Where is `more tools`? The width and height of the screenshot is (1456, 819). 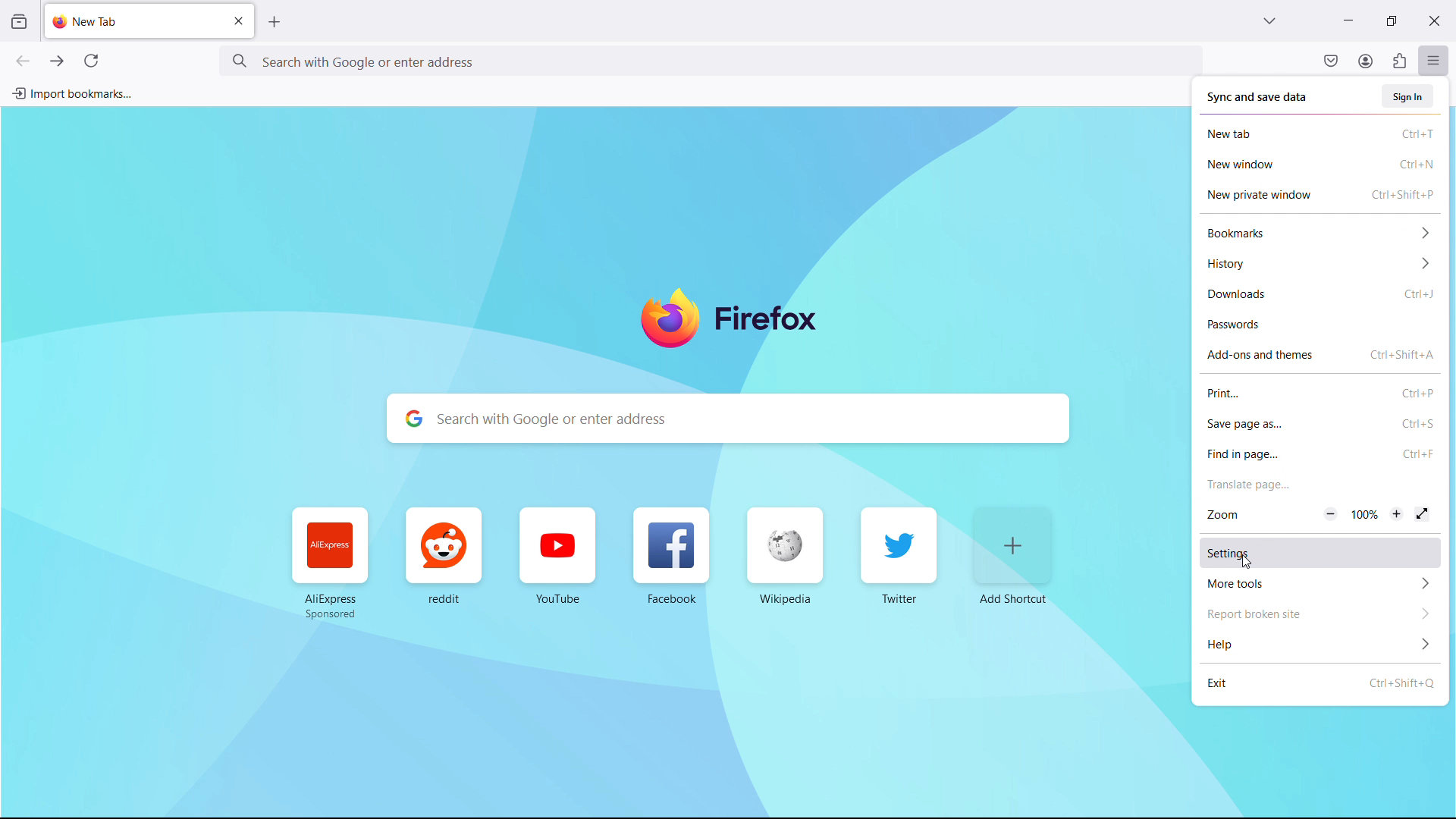
more tools is located at coordinates (1319, 583).